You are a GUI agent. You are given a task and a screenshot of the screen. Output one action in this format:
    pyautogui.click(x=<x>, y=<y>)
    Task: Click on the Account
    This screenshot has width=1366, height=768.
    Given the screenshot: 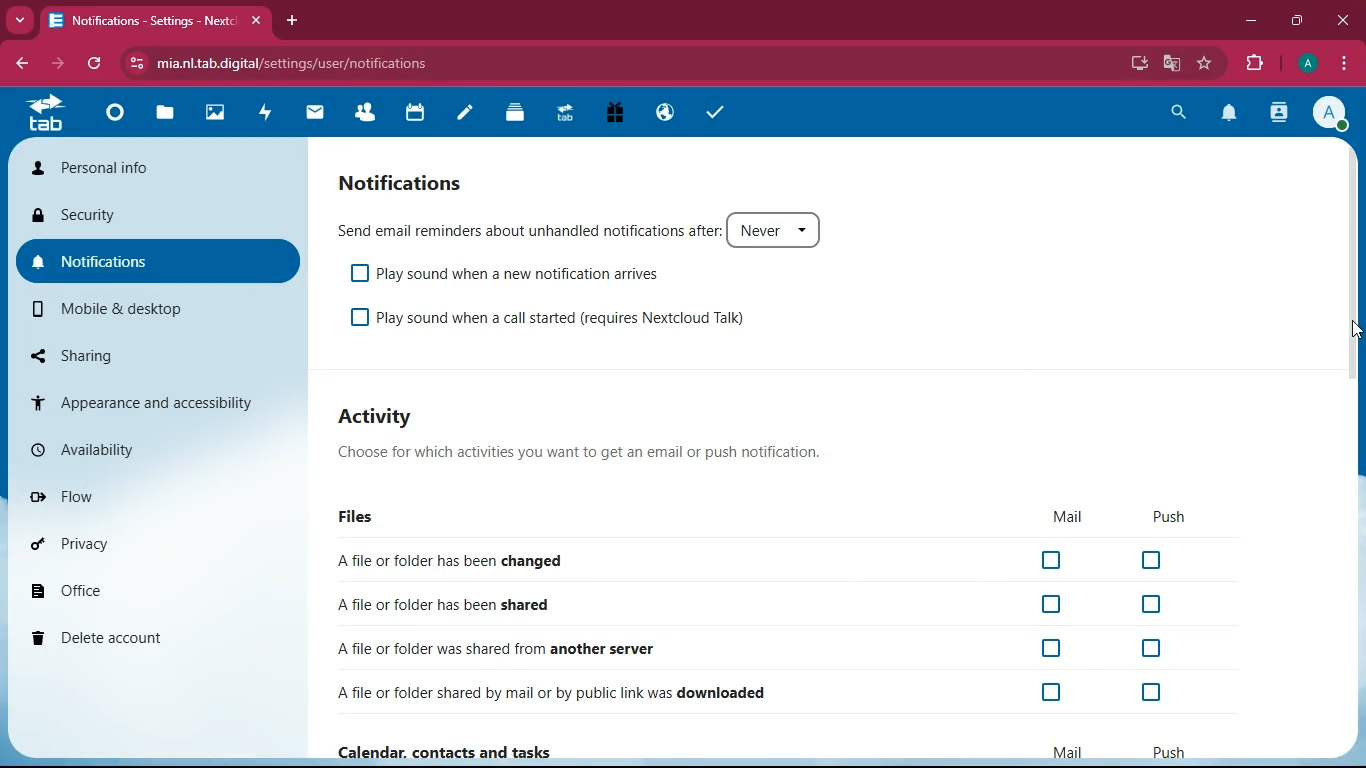 What is the action you would take?
    pyautogui.click(x=1305, y=61)
    